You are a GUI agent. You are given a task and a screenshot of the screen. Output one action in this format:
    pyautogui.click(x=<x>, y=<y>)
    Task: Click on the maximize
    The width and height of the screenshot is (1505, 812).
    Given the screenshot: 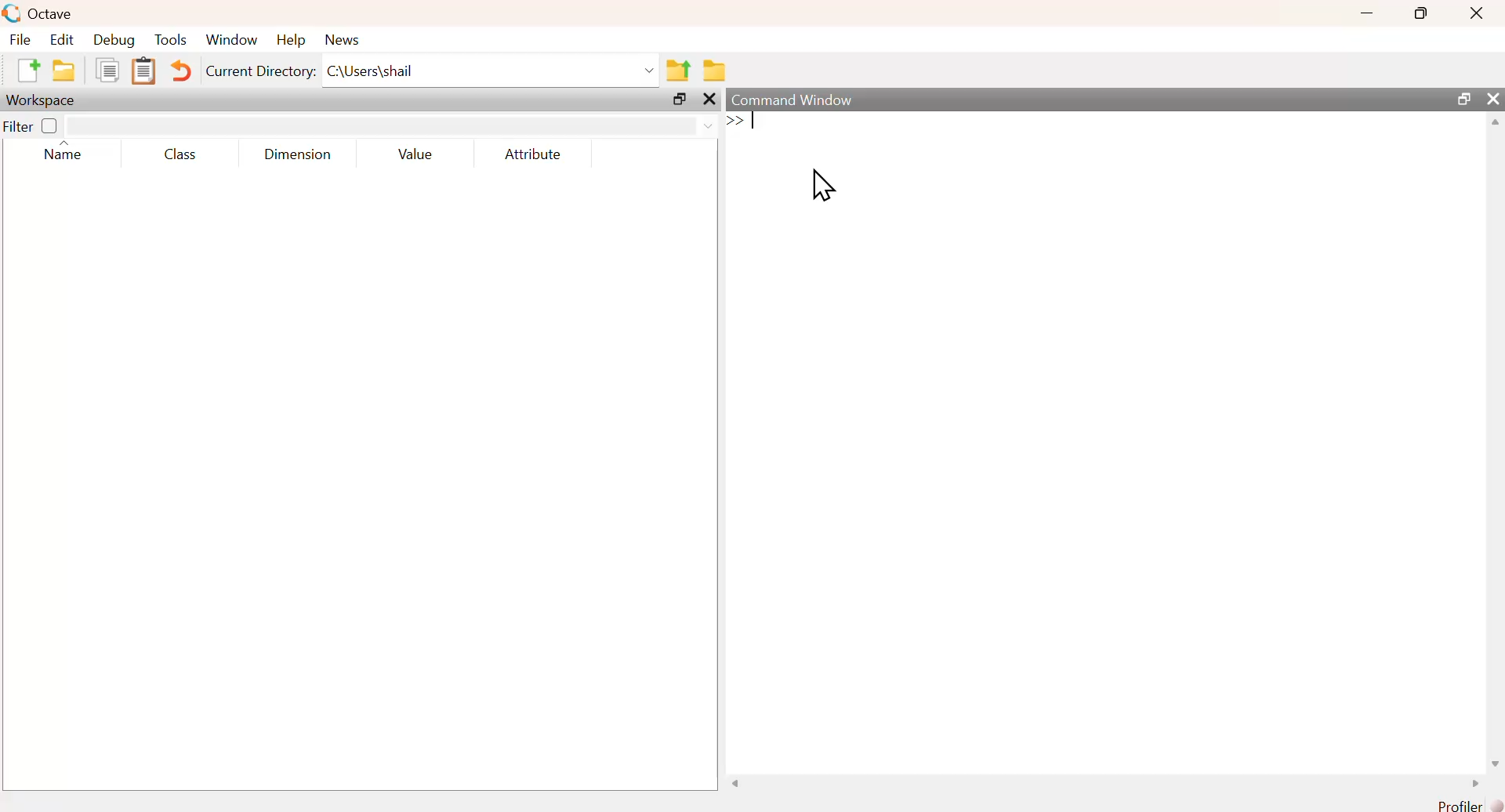 What is the action you would take?
    pyautogui.click(x=678, y=99)
    